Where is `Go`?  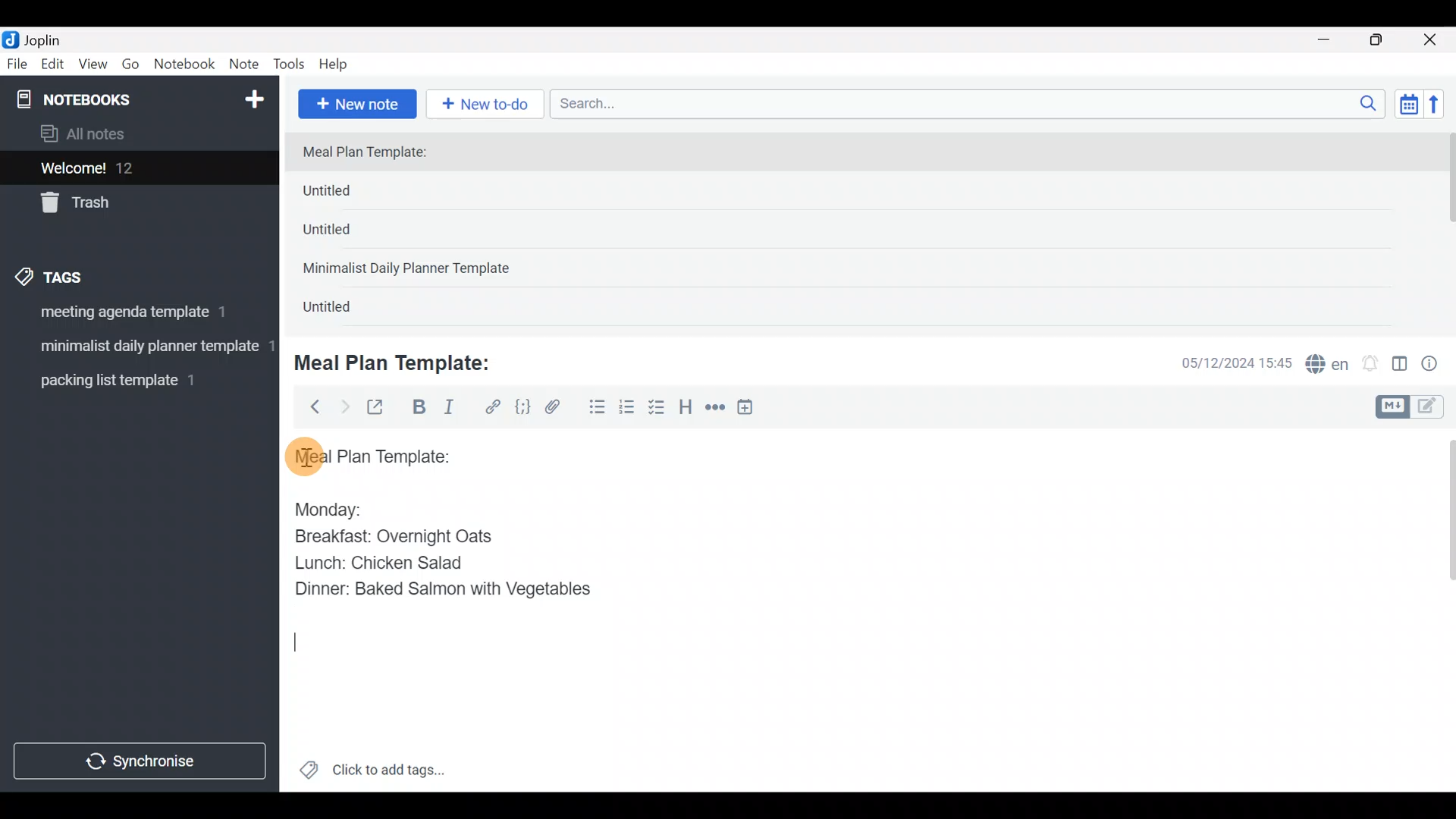
Go is located at coordinates (130, 67).